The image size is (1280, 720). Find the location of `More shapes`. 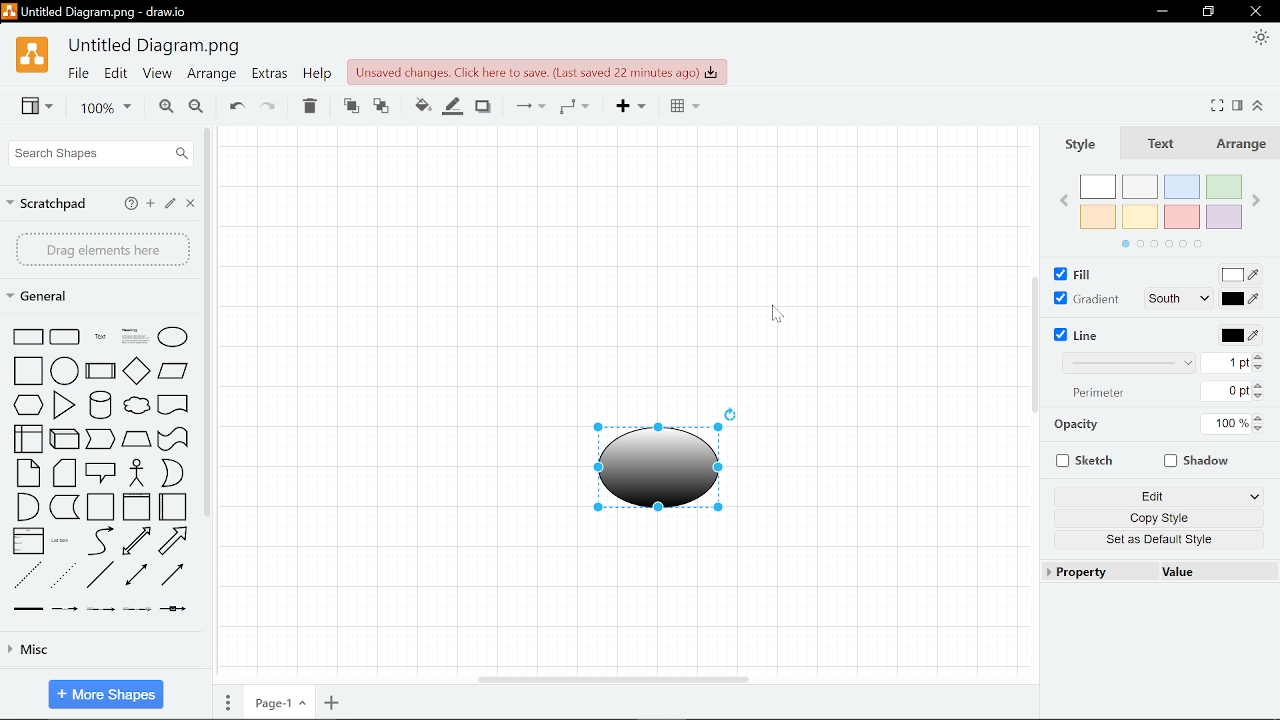

More shapes is located at coordinates (106, 693).